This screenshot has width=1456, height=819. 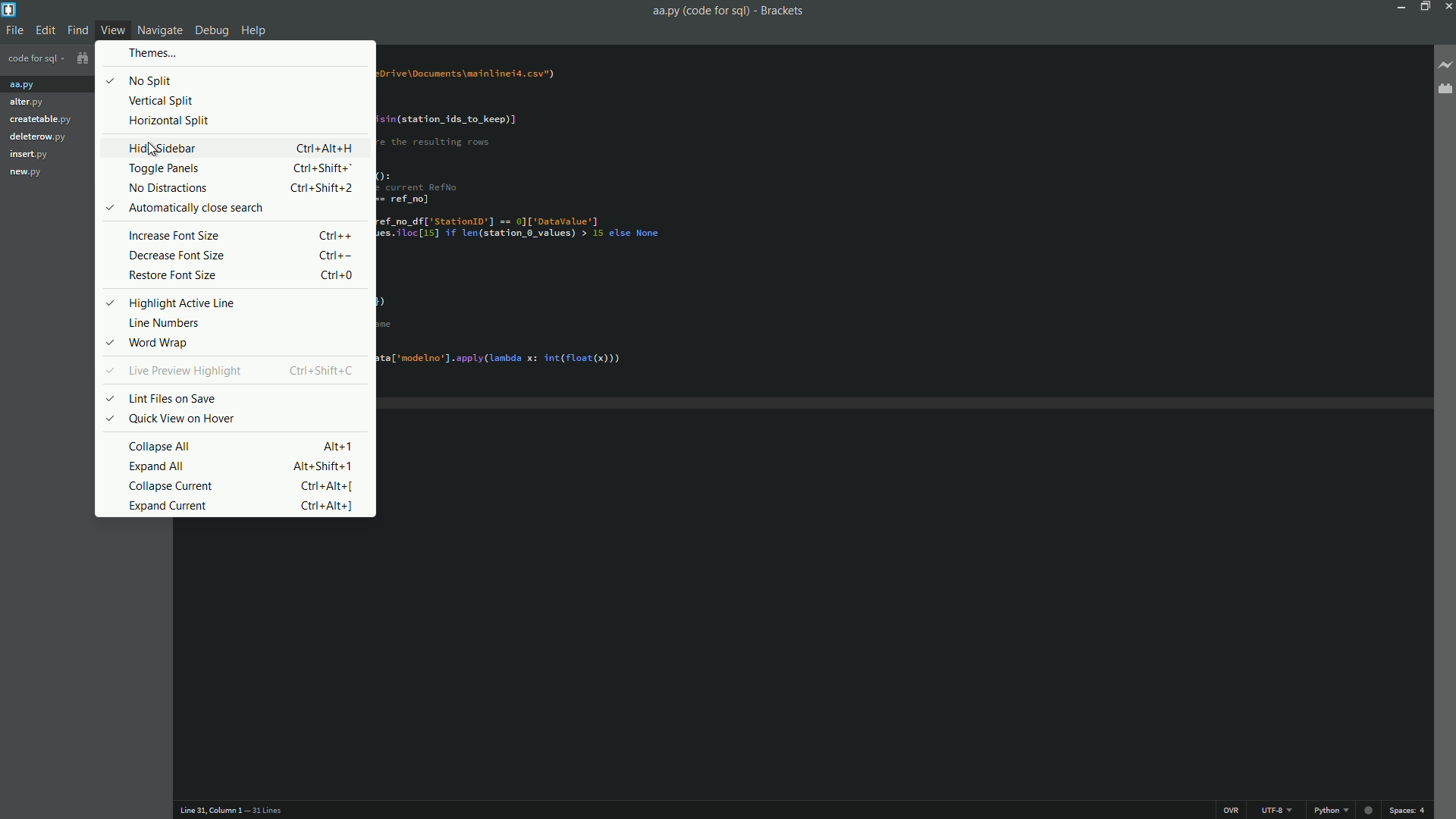 I want to click on expand current button, so click(x=170, y=506).